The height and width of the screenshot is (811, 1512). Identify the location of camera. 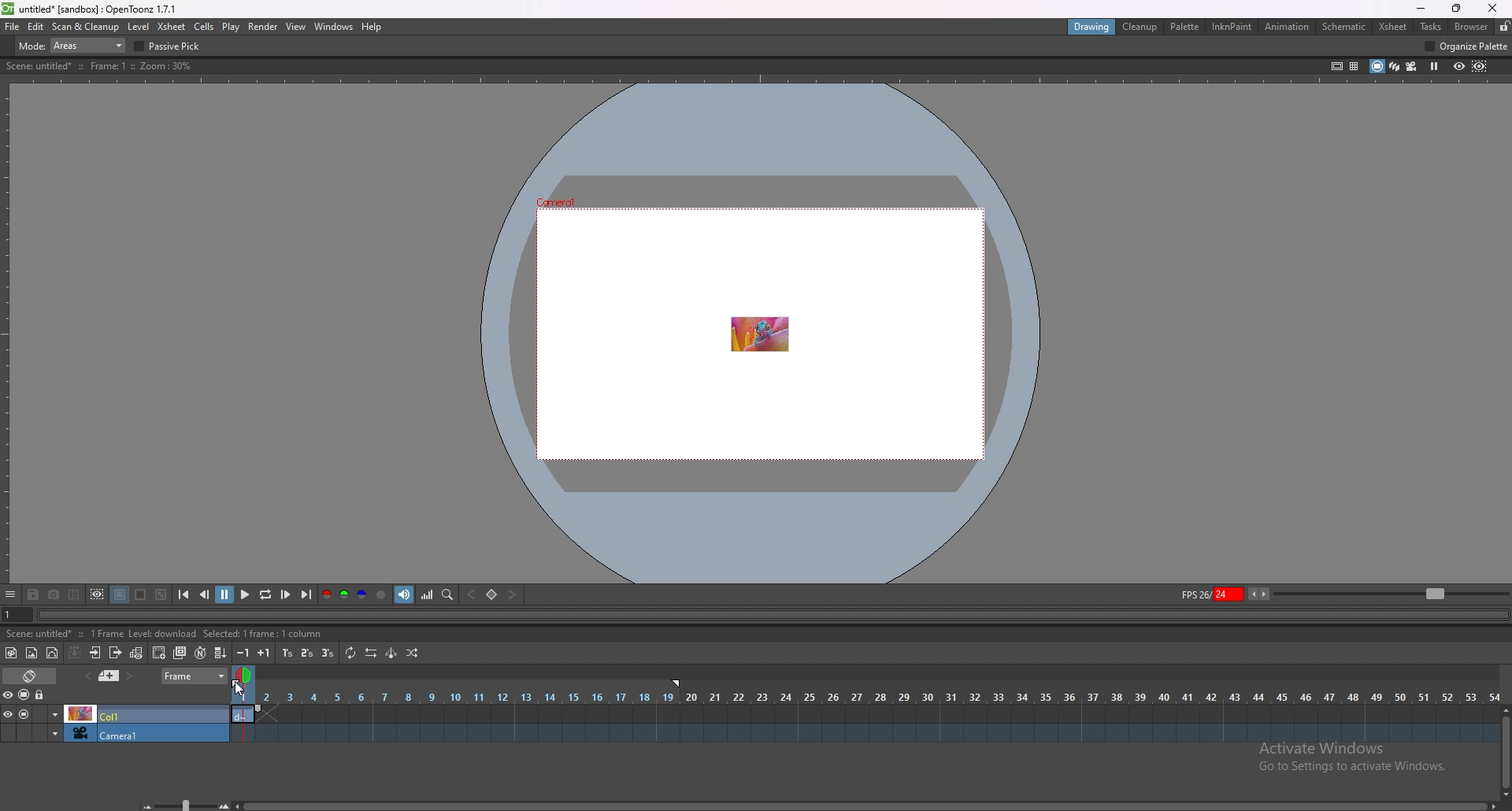
(115, 732).